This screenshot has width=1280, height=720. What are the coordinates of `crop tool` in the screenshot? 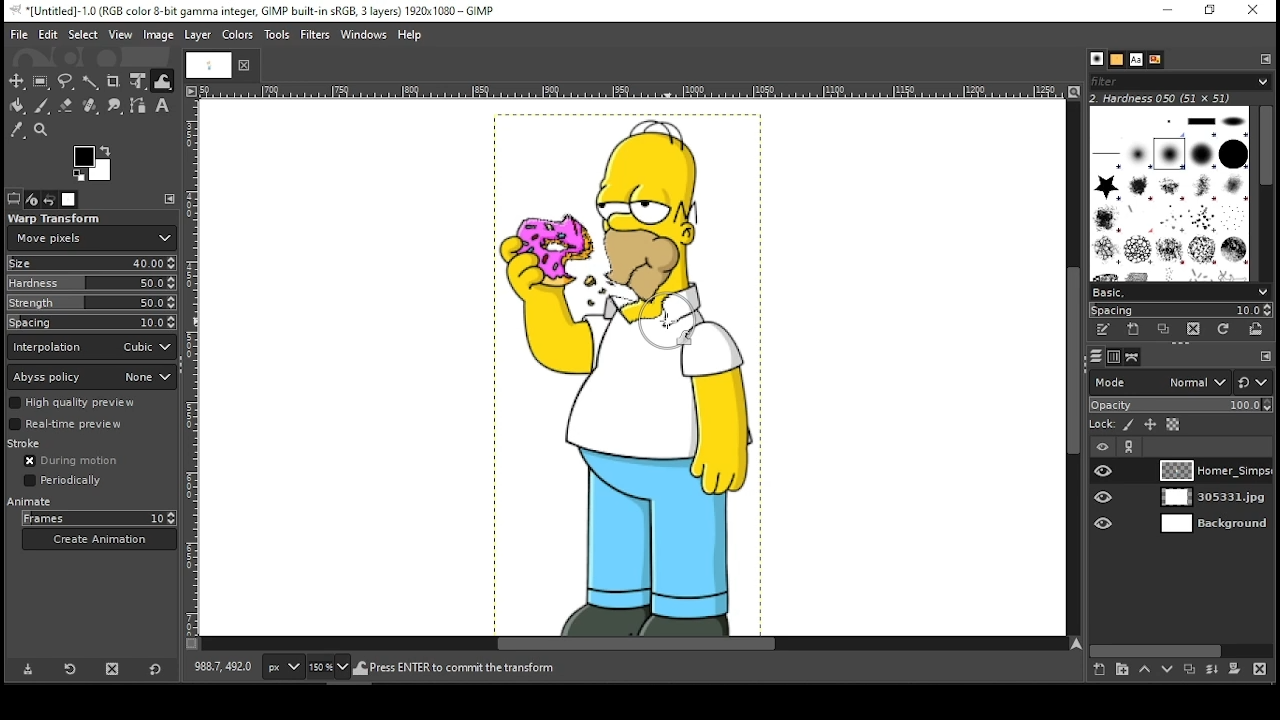 It's located at (114, 81).